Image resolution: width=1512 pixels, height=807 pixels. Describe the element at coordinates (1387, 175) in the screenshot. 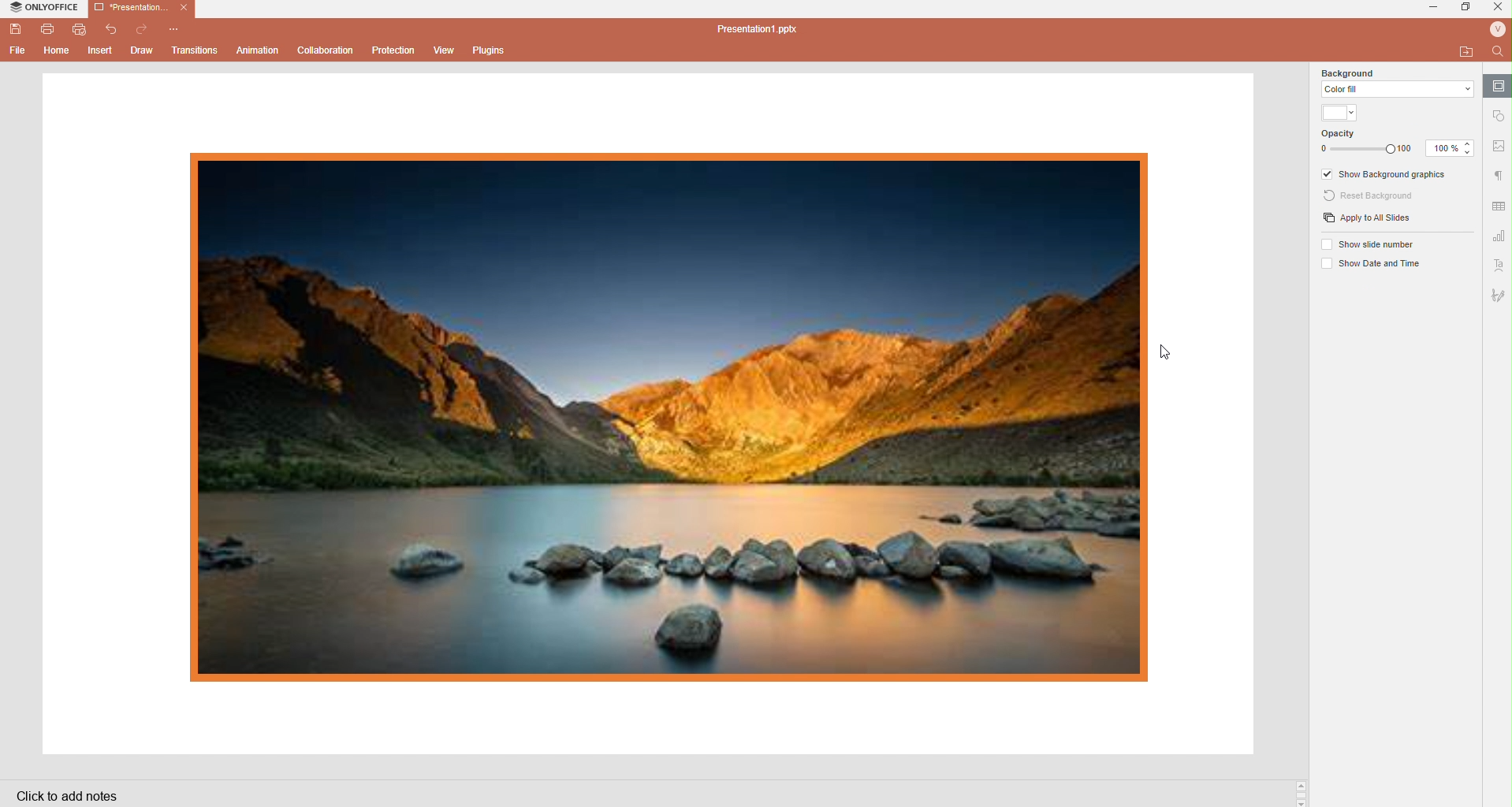

I see `Show Background graphics` at that location.